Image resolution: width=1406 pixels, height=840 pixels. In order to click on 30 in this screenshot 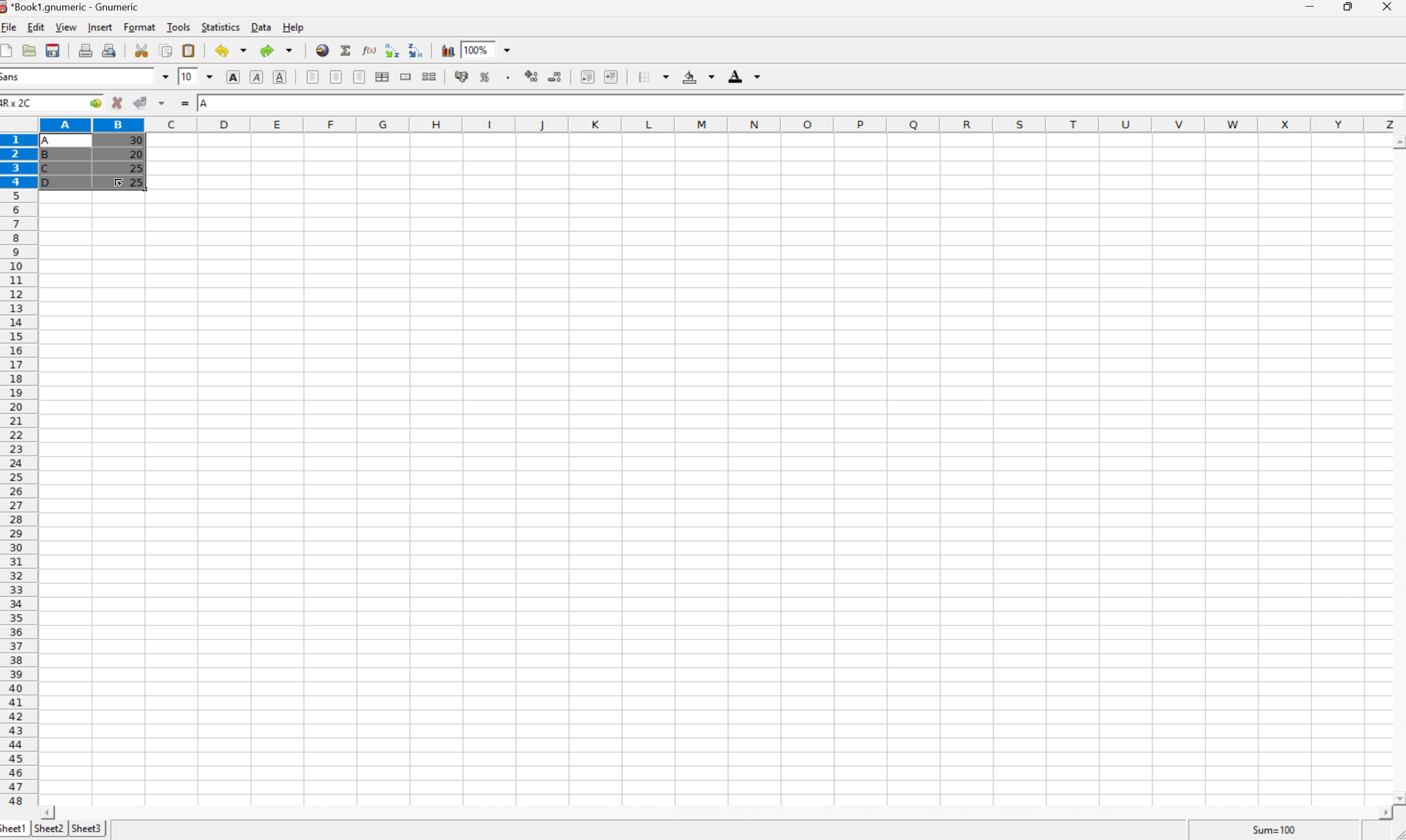, I will do `click(135, 142)`.